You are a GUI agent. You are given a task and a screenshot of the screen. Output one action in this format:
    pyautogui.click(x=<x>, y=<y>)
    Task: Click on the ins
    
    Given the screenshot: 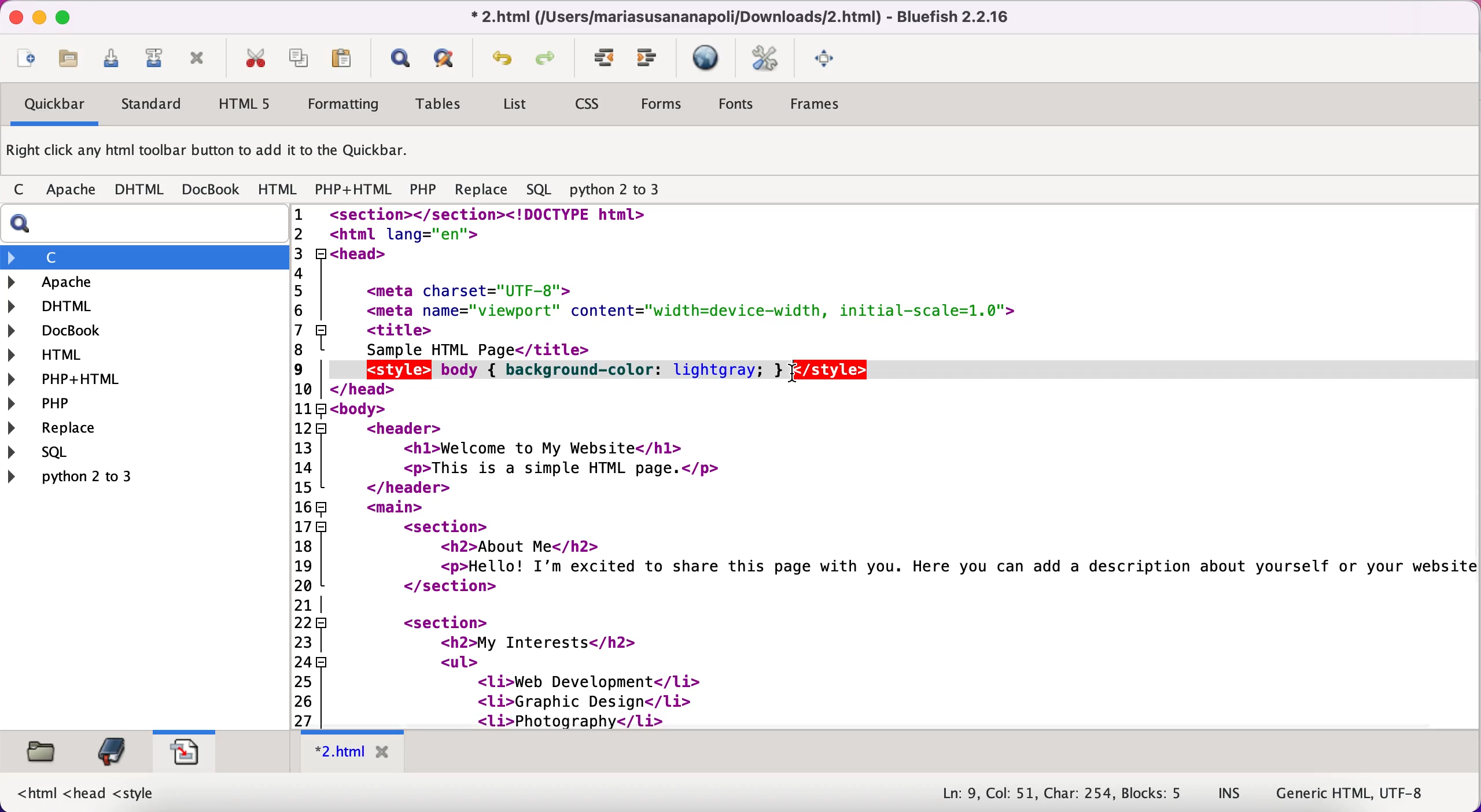 What is the action you would take?
    pyautogui.click(x=1230, y=794)
    